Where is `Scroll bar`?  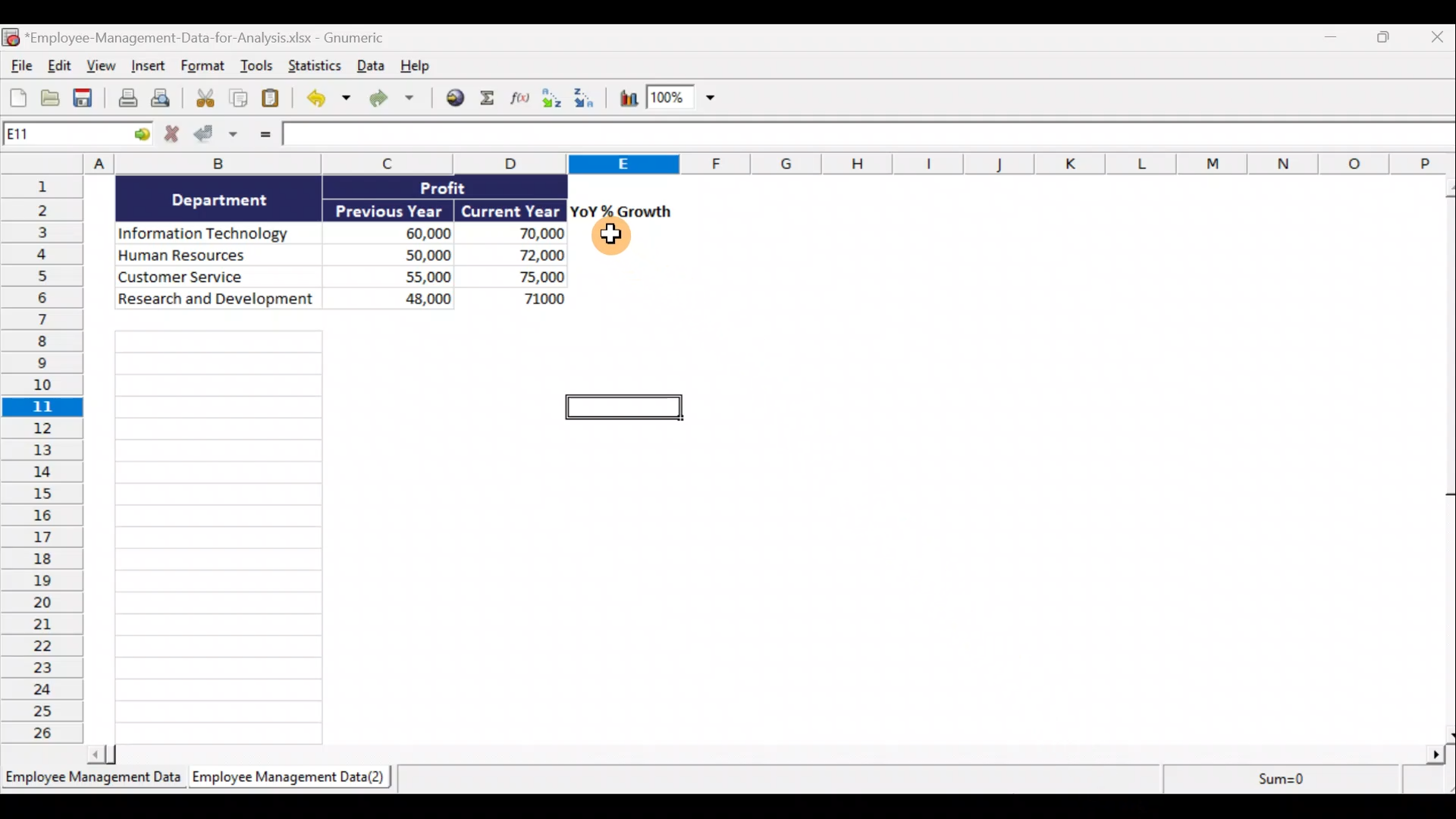
Scroll bar is located at coordinates (1447, 460).